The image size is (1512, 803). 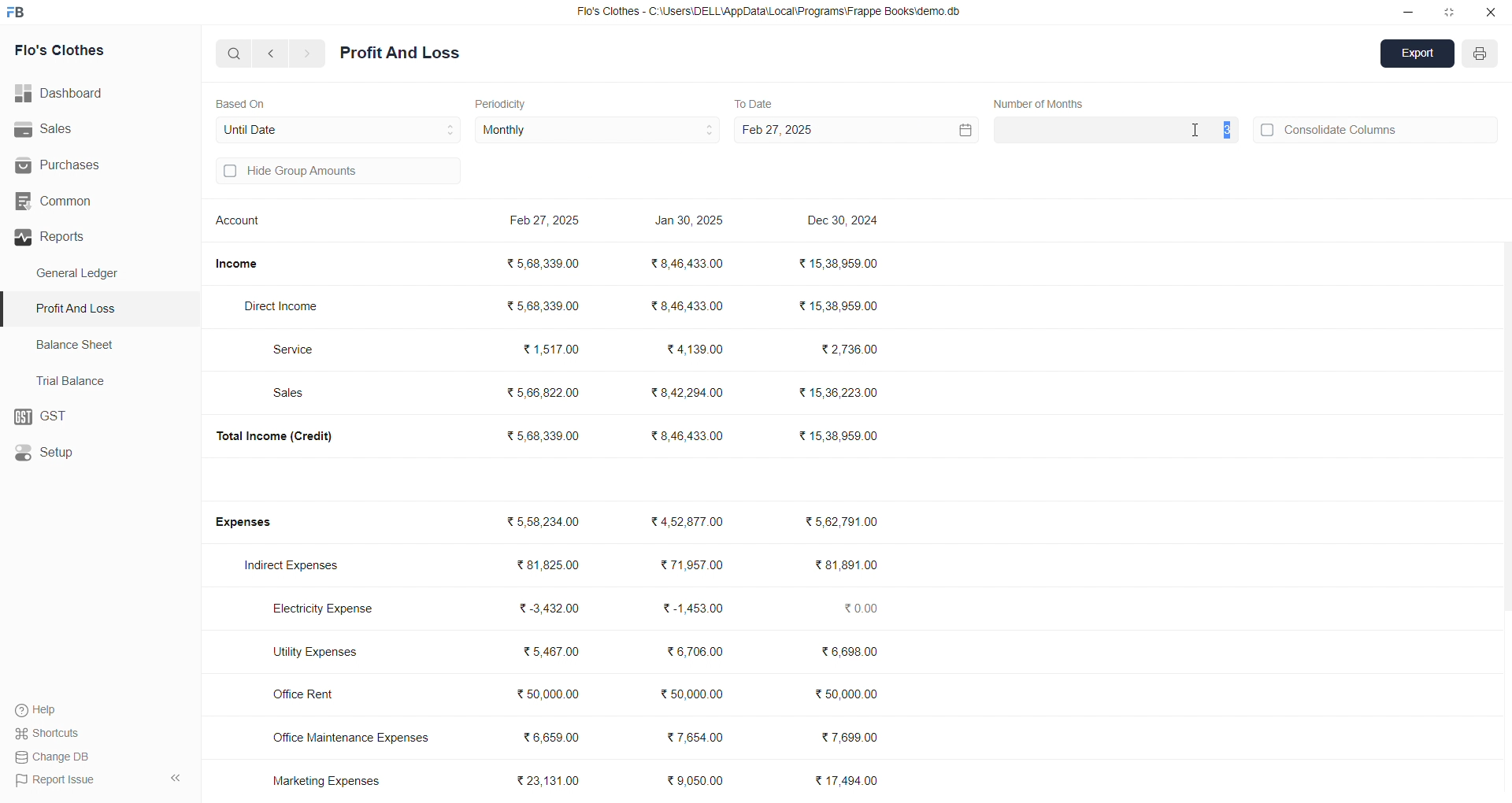 I want to click on ₹568,339.00, so click(x=546, y=304).